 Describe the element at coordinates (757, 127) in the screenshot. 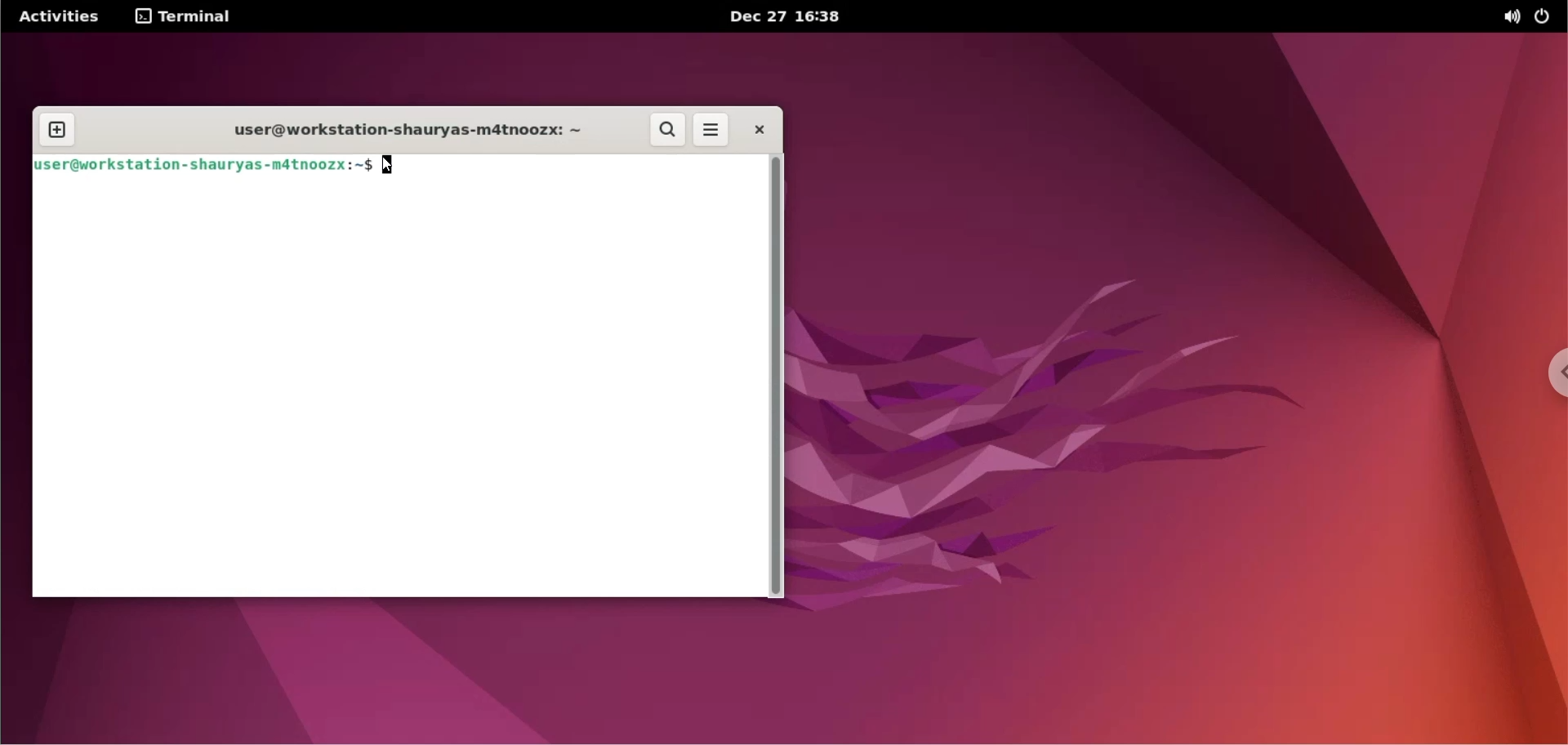

I see `close` at that location.